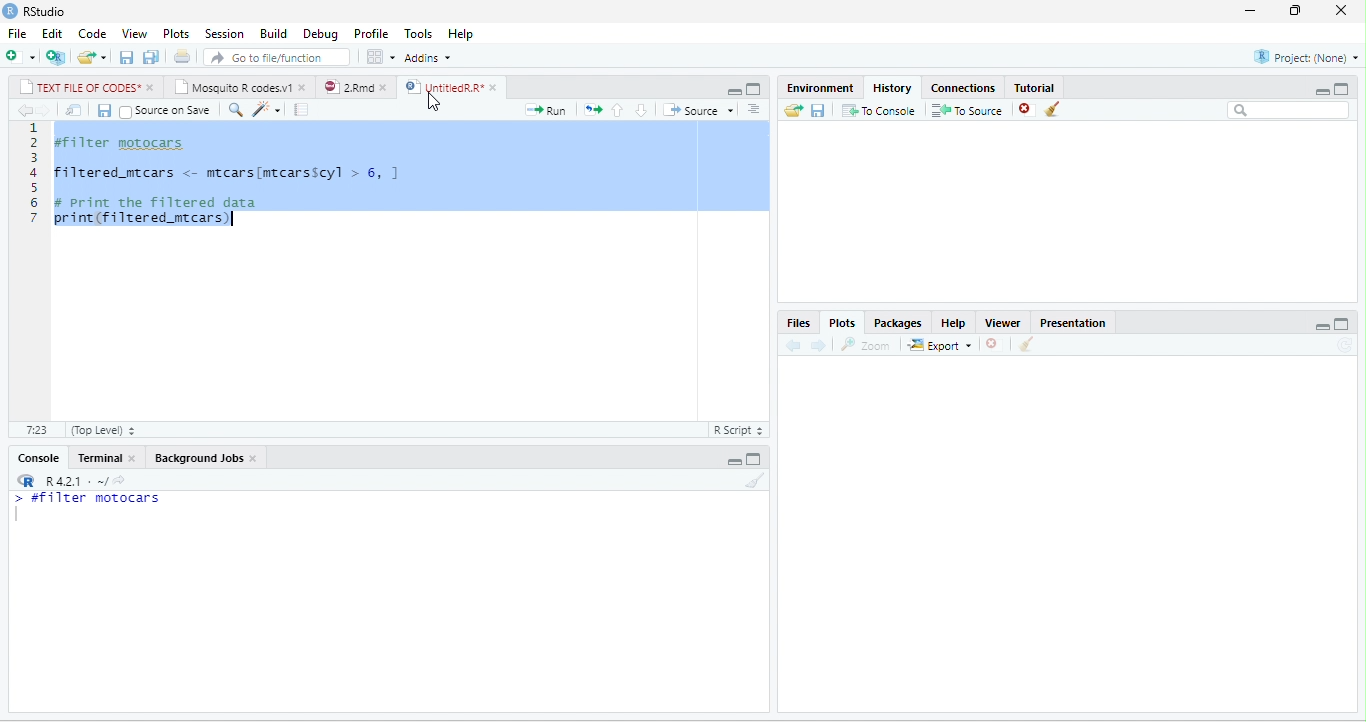  Describe the element at coordinates (21, 56) in the screenshot. I see `new file` at that location.